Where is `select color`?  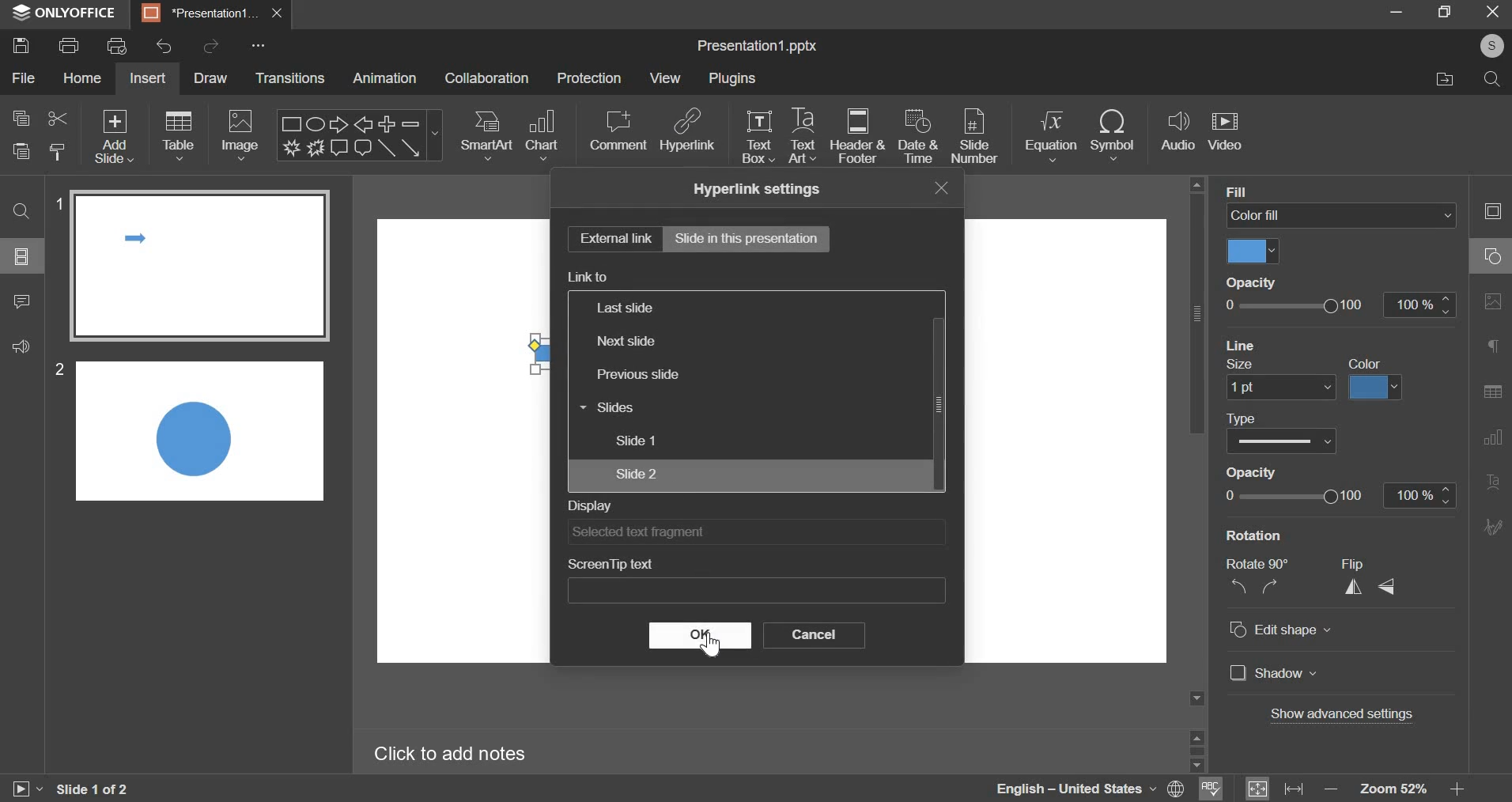 select color is located at coordinates (1377, 388).